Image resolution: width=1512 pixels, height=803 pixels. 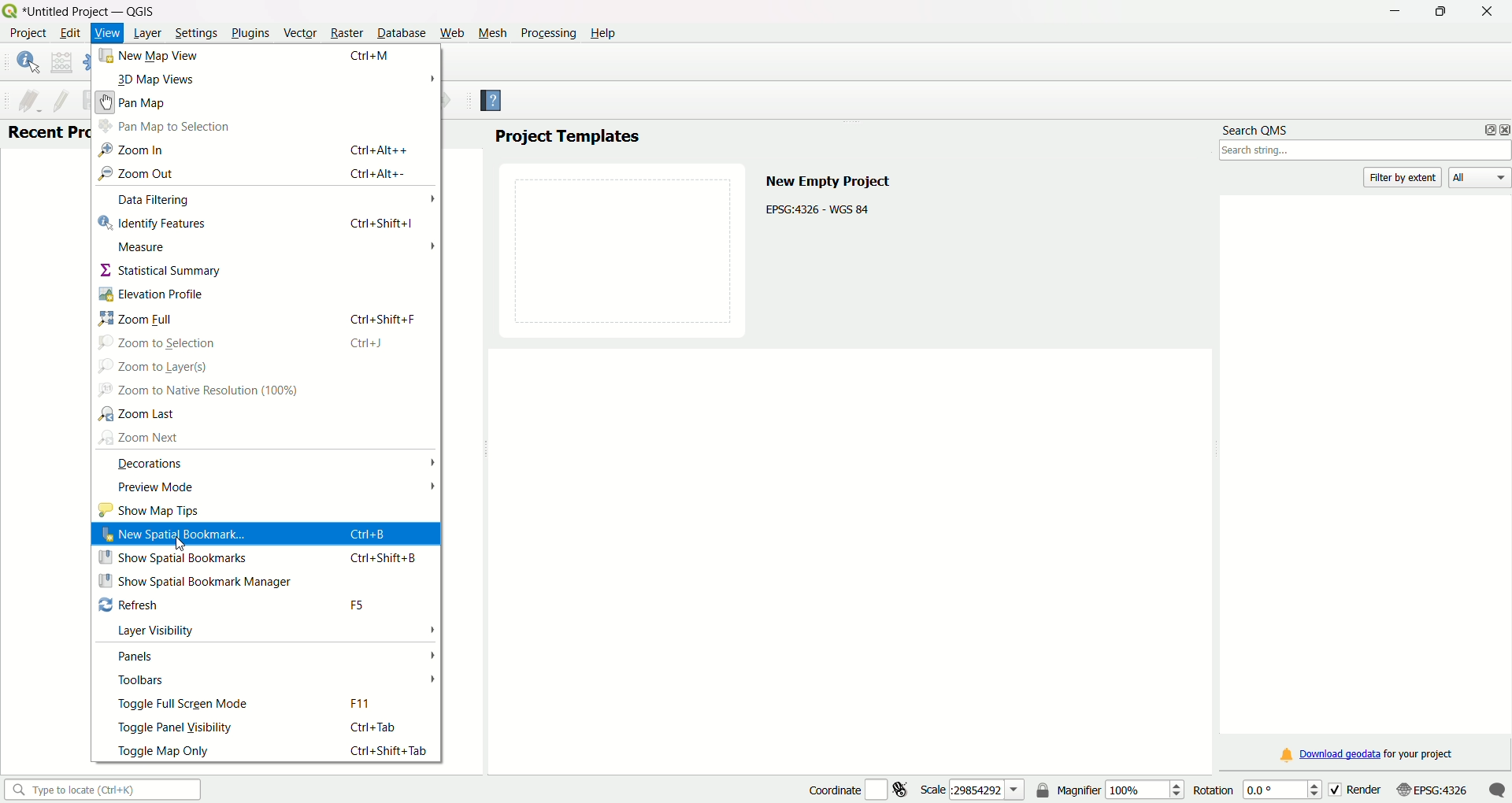 What do you see at coordinates (1431, 788) in the screenshot?
I see `current CRS` at bounding box center [1431, 788].